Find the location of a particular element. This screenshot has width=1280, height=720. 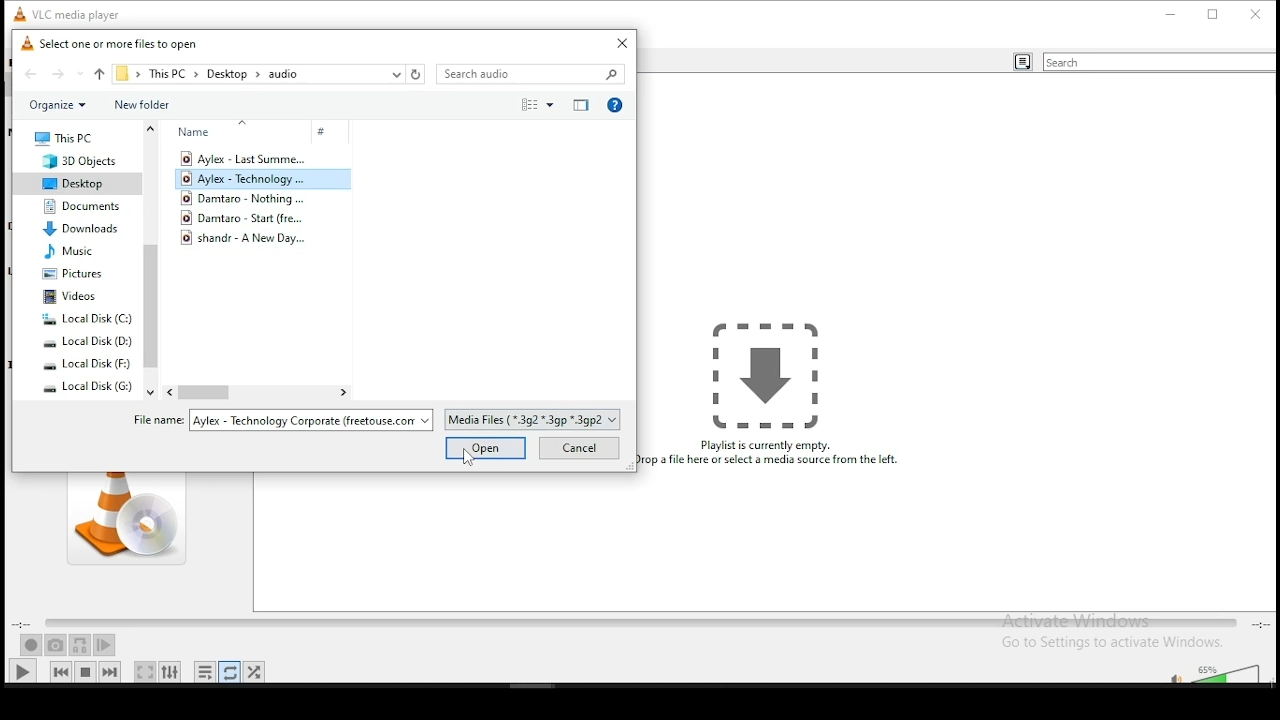

desktop is located at coordinates (72, 183).